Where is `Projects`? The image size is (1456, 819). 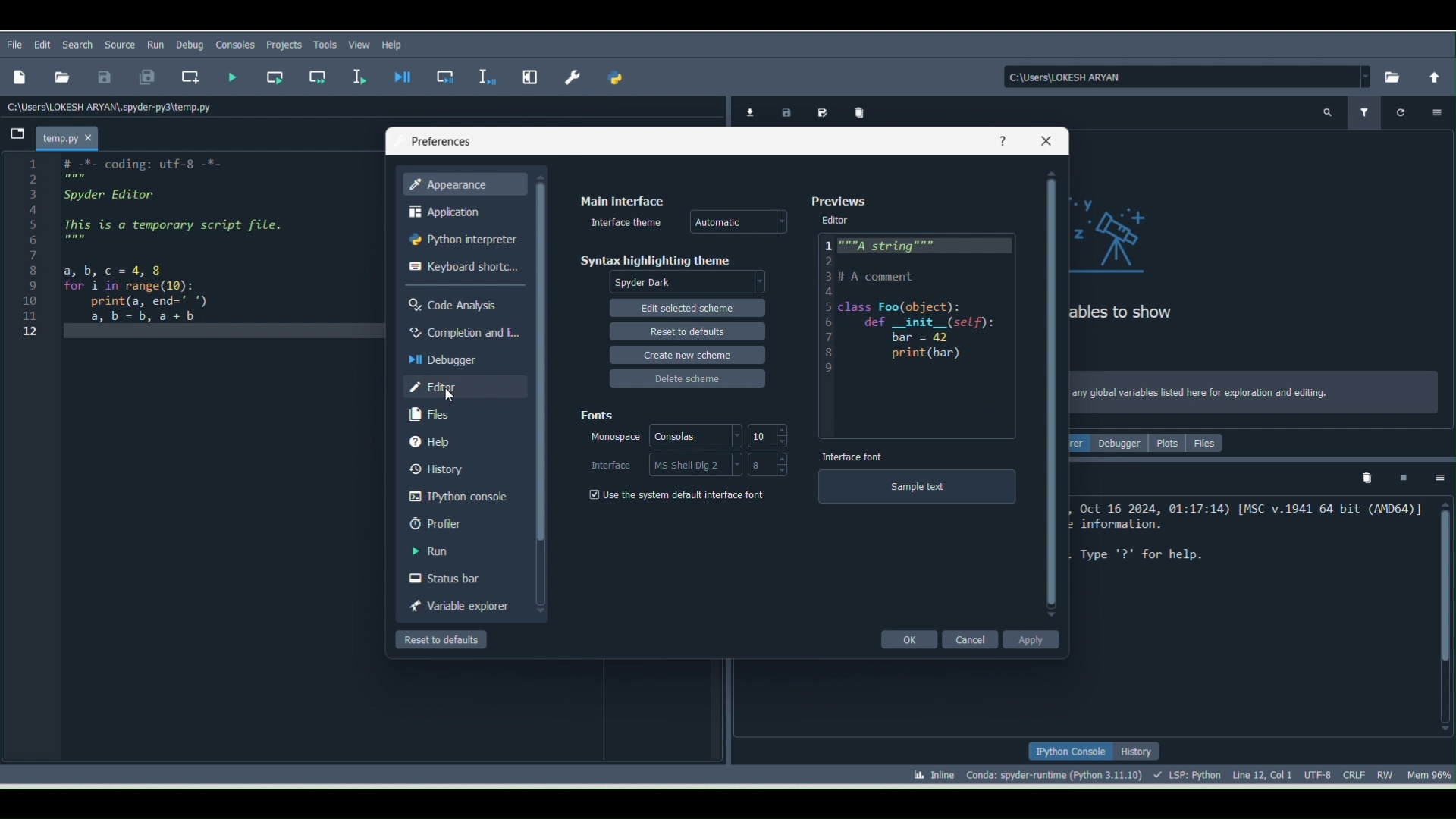
Projects is located at coordinates (284, 45).